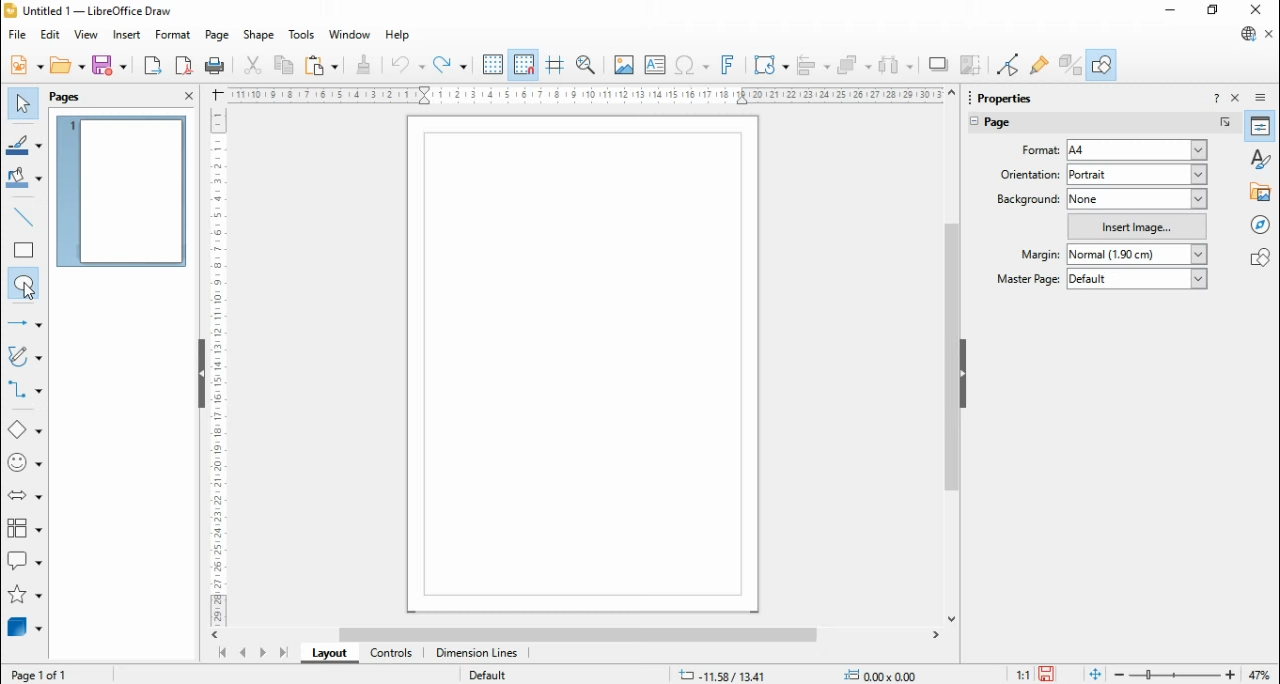 Image resolution: width=1280 pixels, height=684 pixels. What do you see at coordinates (1270, 35) in the screenshot?
I see `close document` at bounding box center [1270, 35].